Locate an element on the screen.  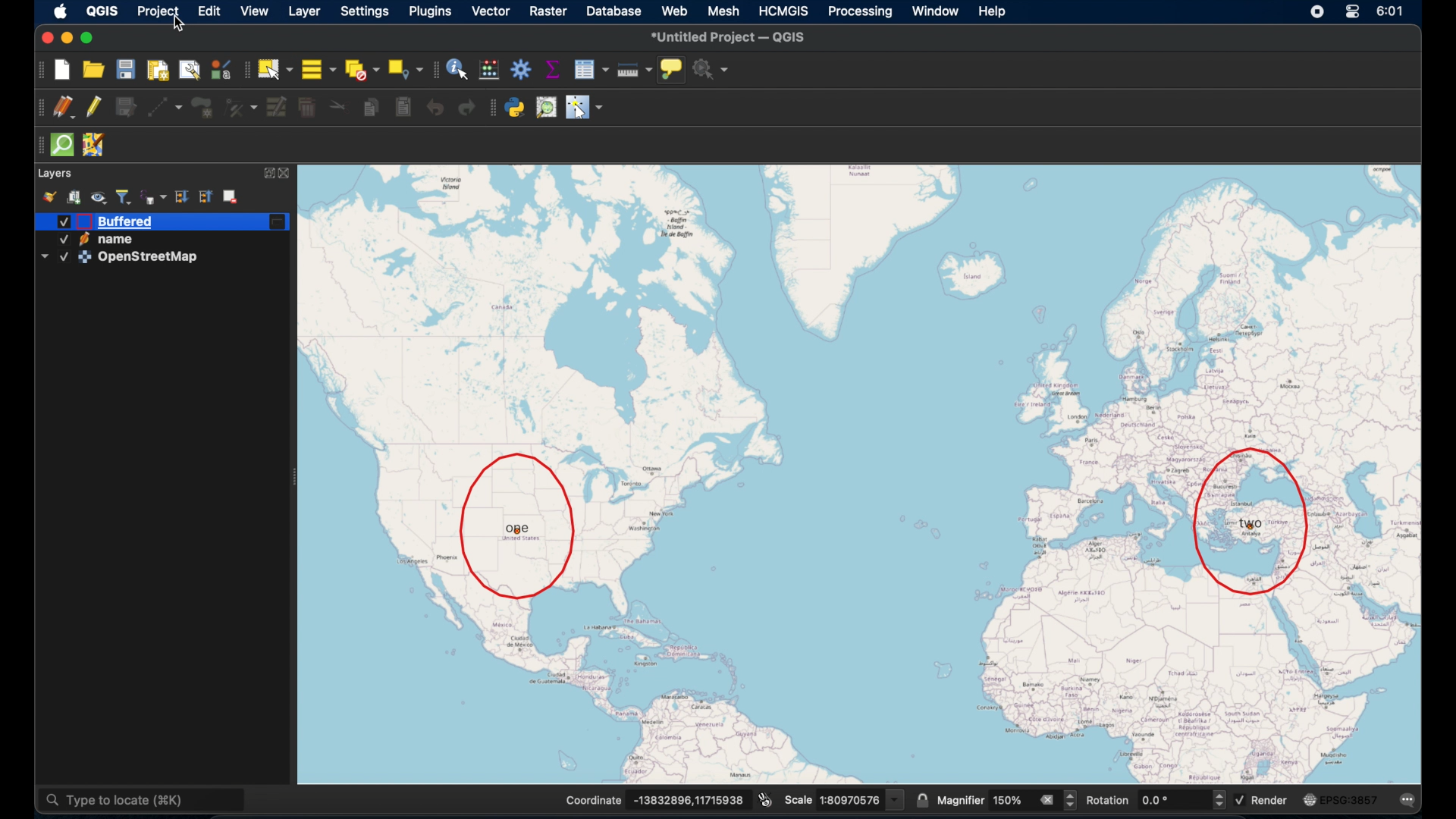
drag handle is located at coordinates (436, 69).